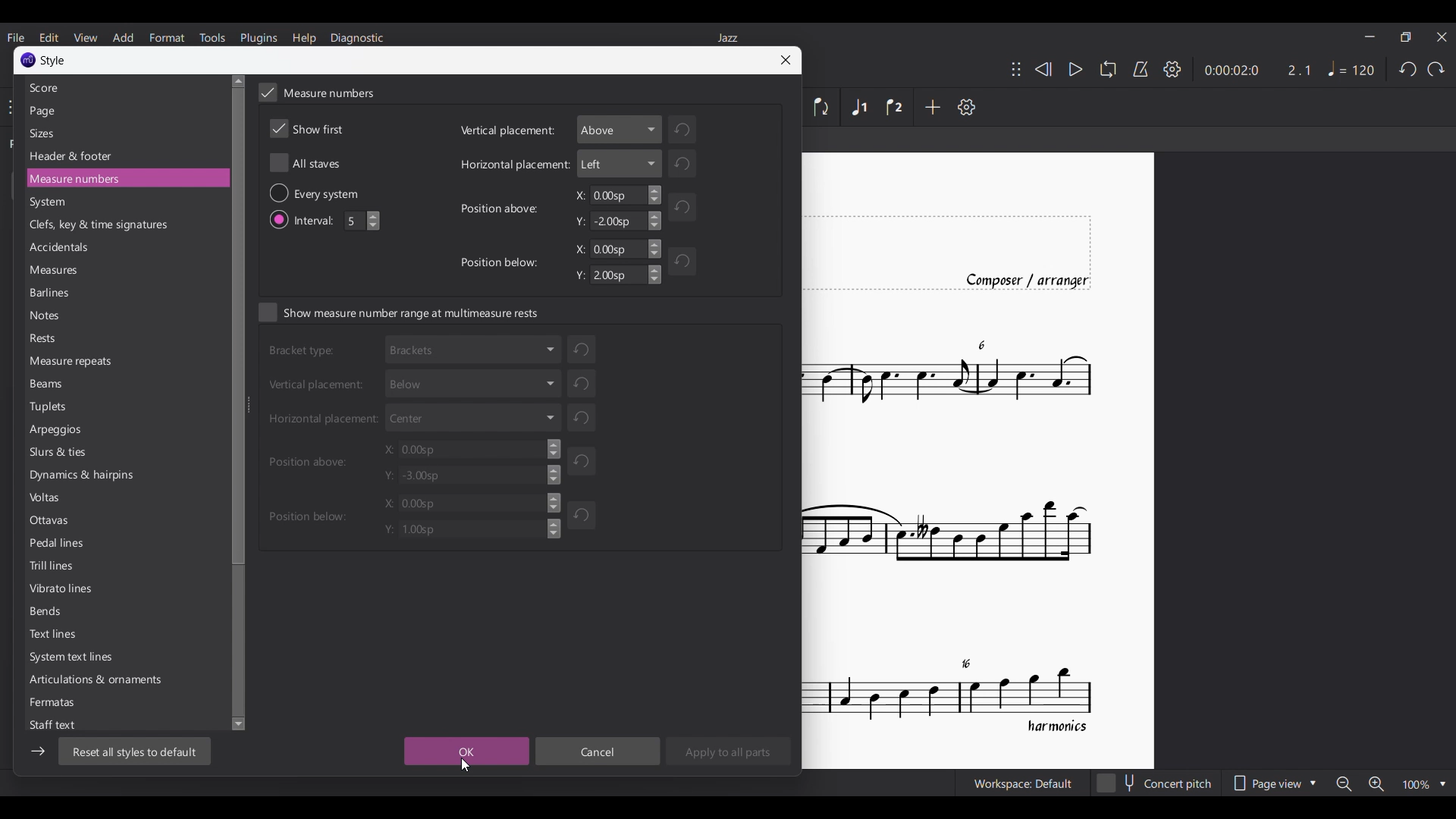 The height and width of the screenshot is (819, 1456). I want to click on Trill, so click(55, 568).